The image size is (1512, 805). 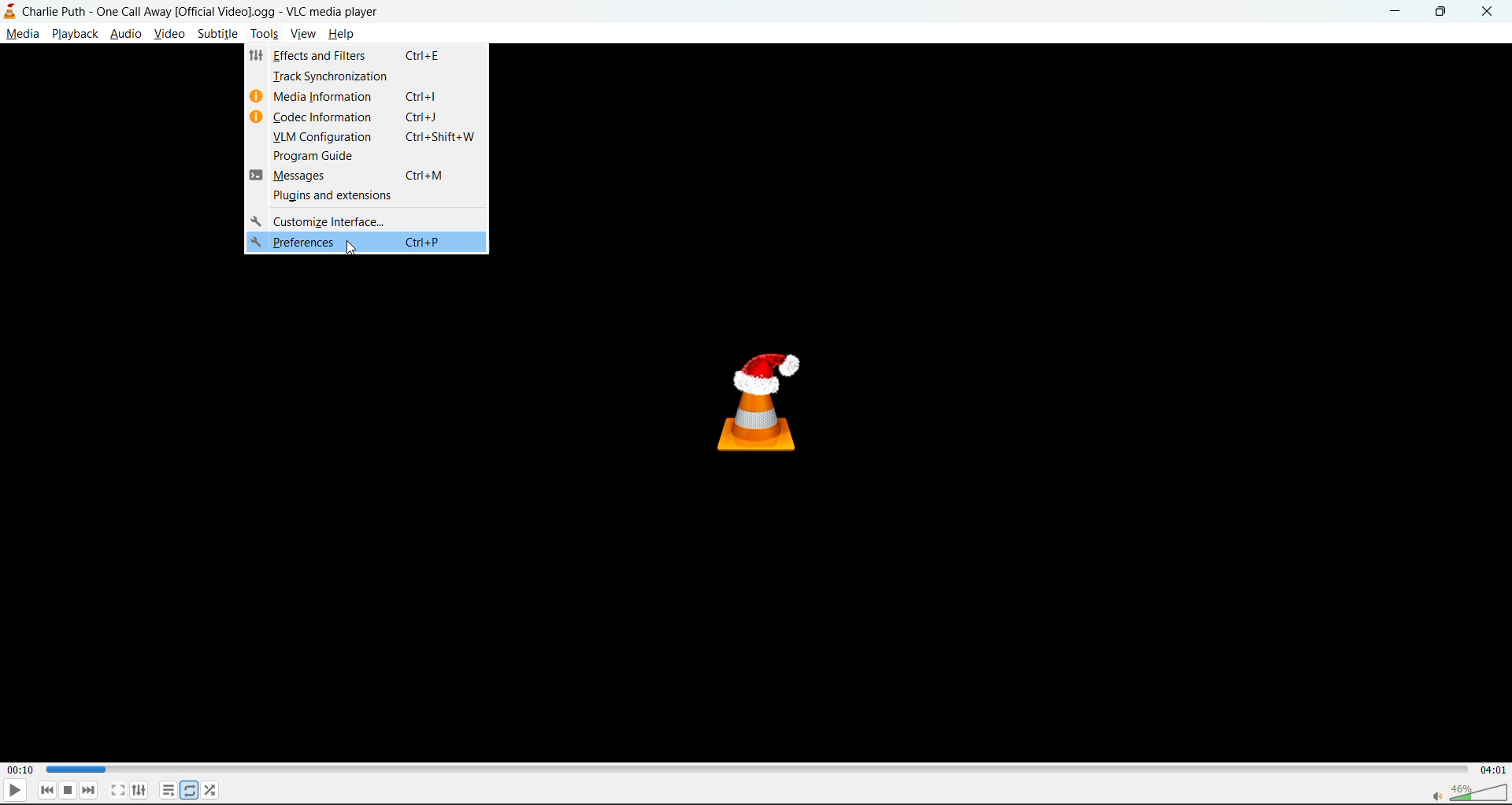 I want to click on minimize, so click(x=1392, y=10).